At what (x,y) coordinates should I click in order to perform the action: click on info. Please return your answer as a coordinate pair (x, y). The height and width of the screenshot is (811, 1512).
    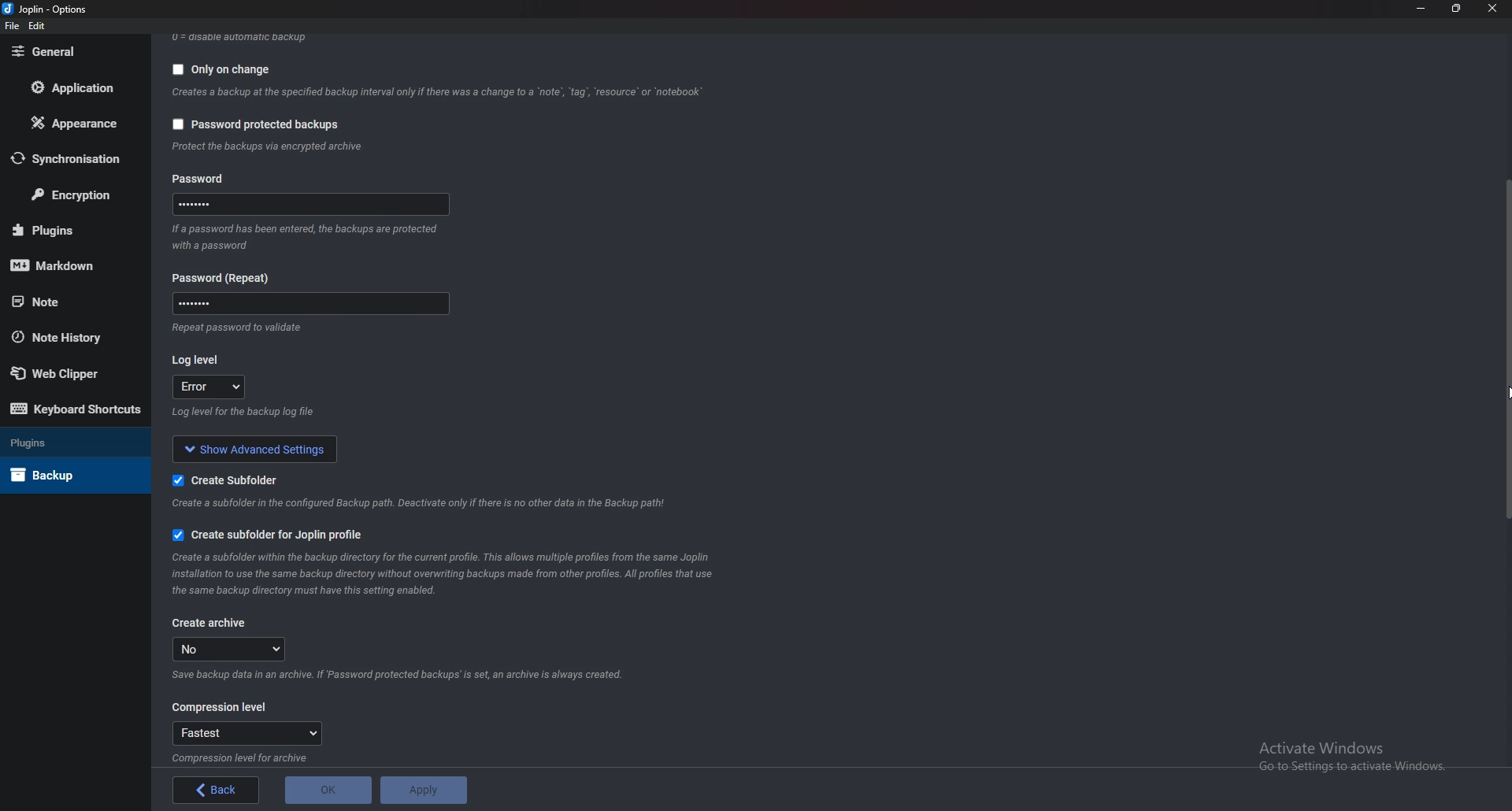
    Looking at the image, I should click on (268, 146).